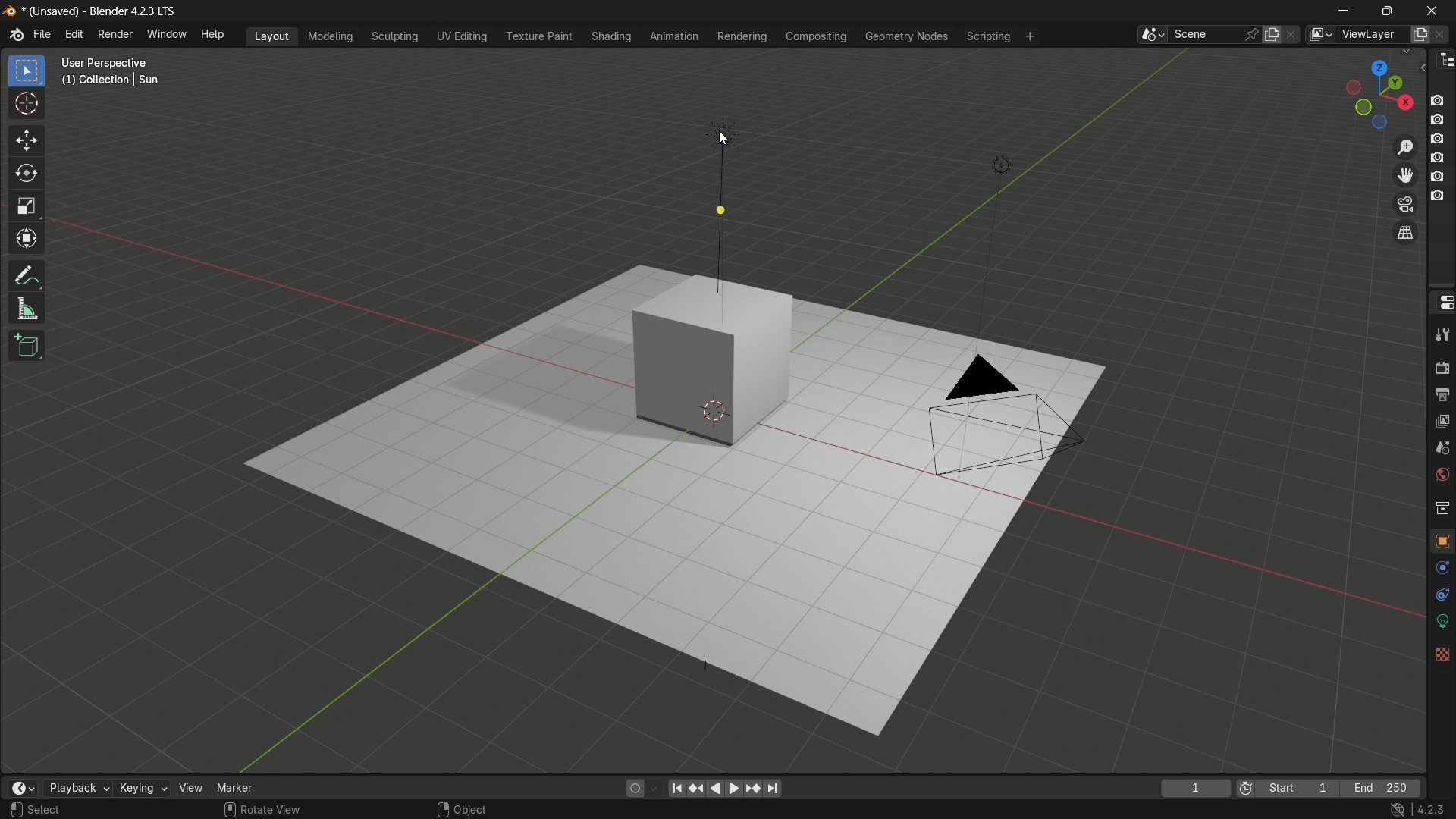 The image size is (1456, 819). Describe the element at coordinates (227, 809) in the screenshot. I see `mouse scroll` at that location.